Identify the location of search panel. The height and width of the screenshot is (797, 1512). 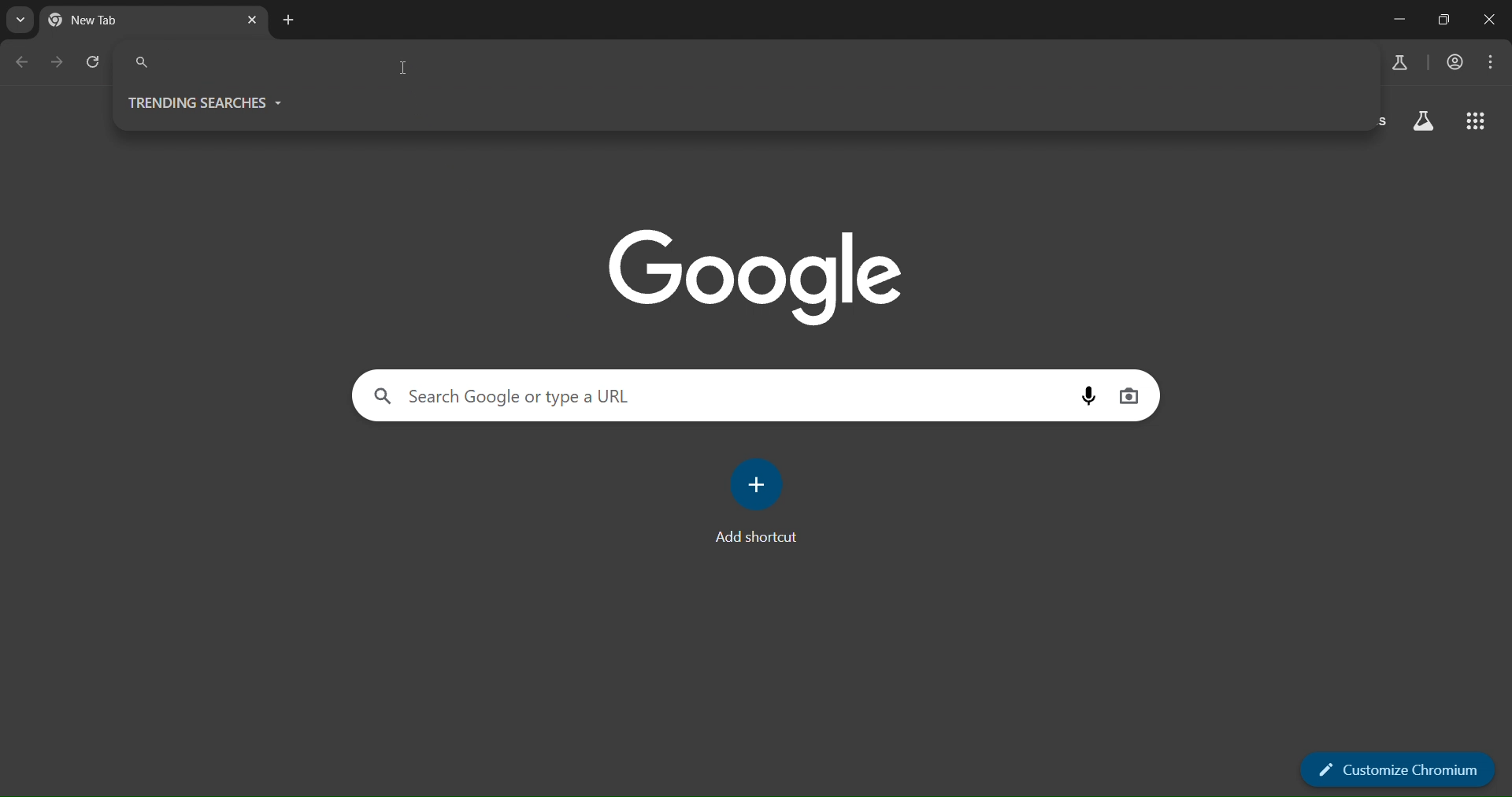
(745, 61).